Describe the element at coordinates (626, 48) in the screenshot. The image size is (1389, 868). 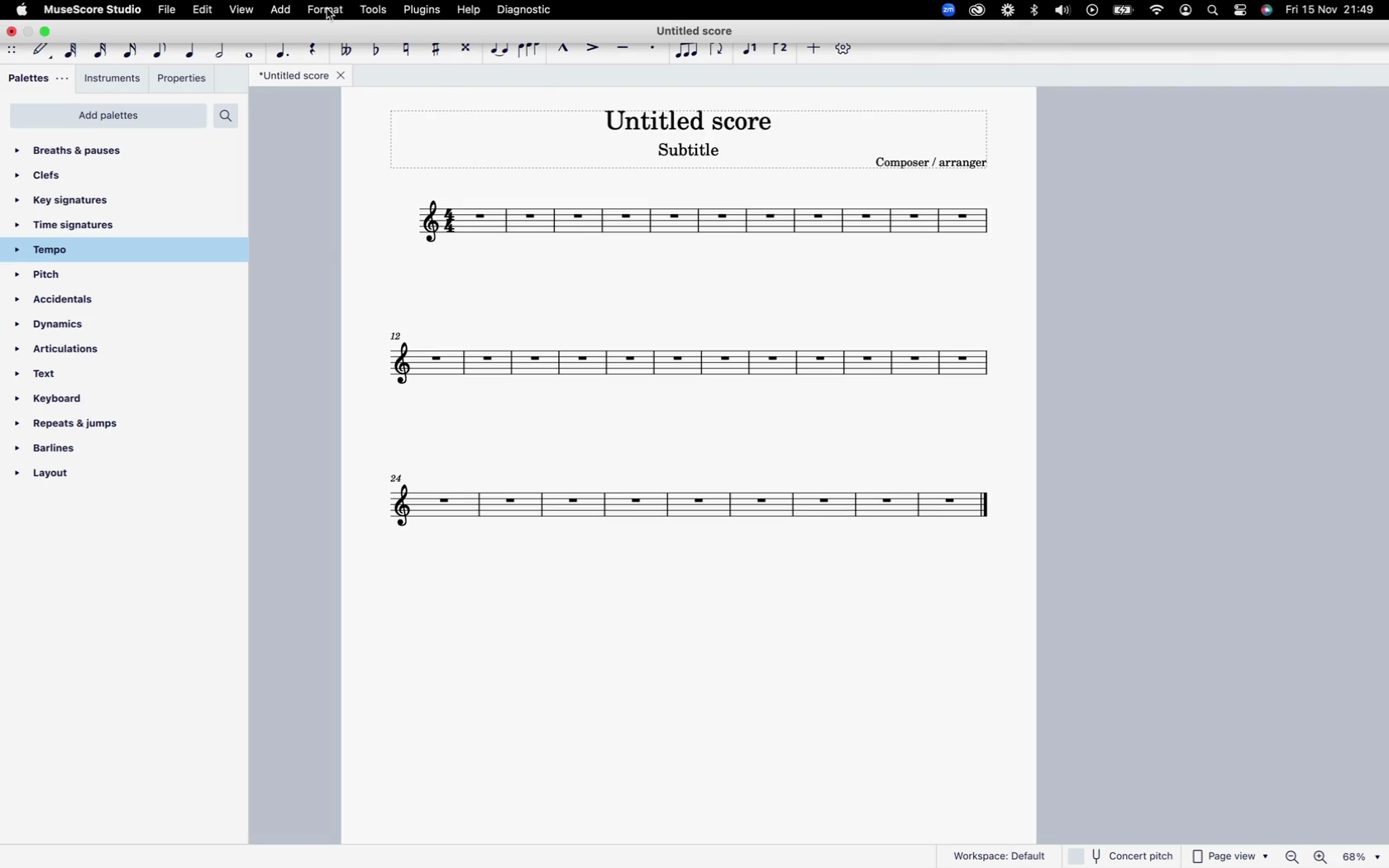
I see `tenuto` at that location.